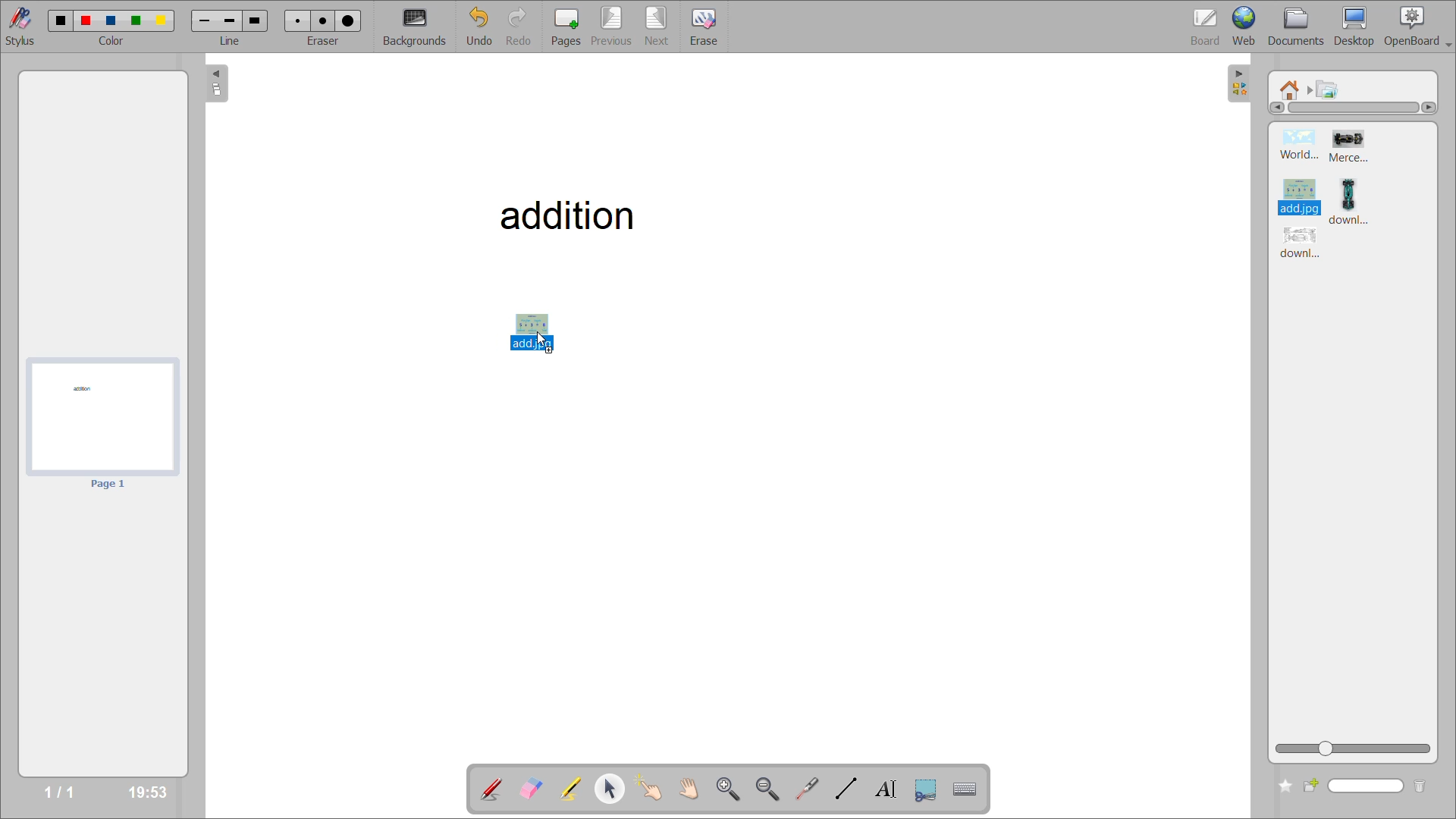 The height and width of the screenshot is (819, 1456). Describe the element at coordinates (134, 22) in the screenshot. I see `color 4` at that location.